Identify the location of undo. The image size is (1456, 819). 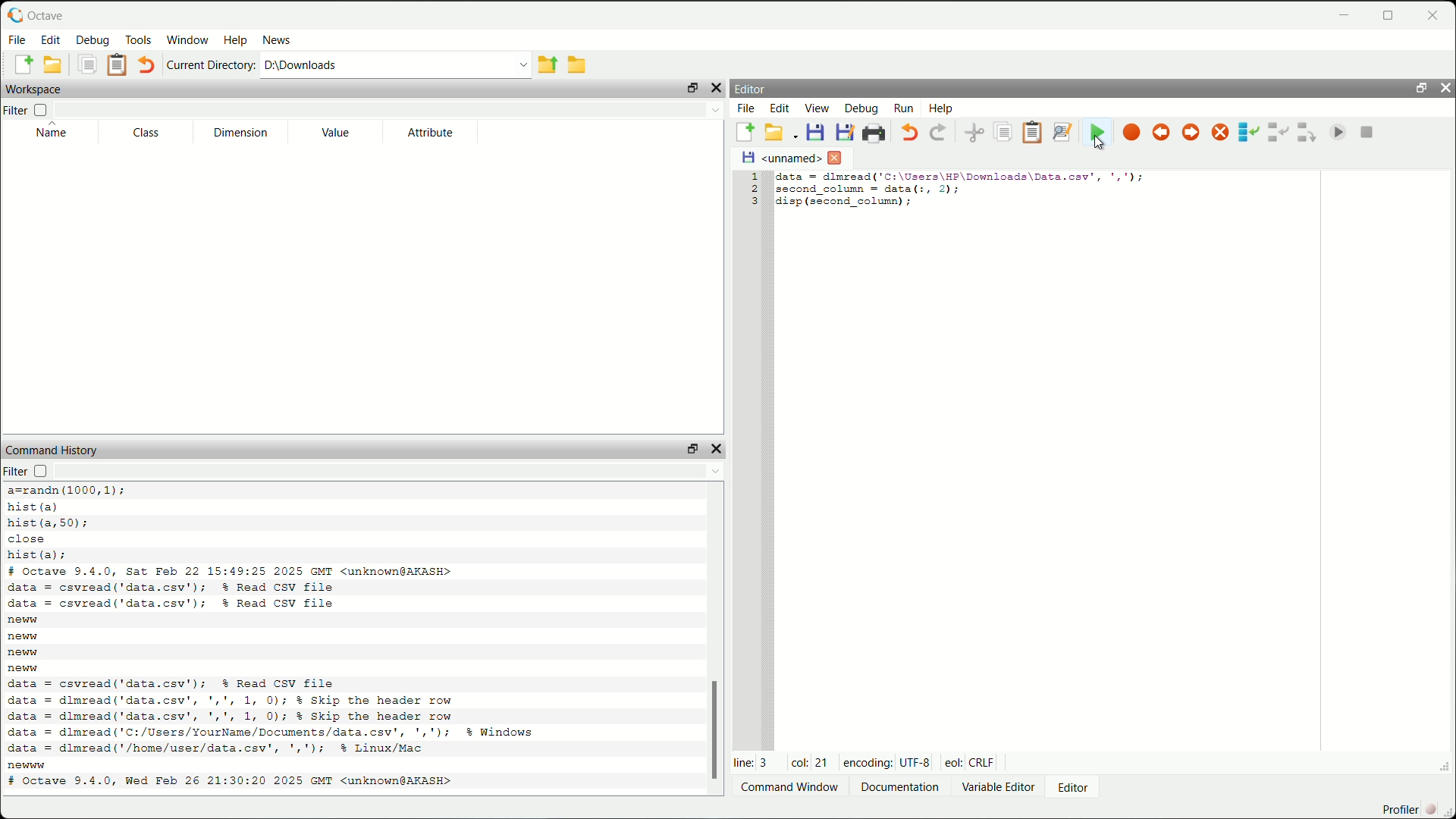
(908, 135).